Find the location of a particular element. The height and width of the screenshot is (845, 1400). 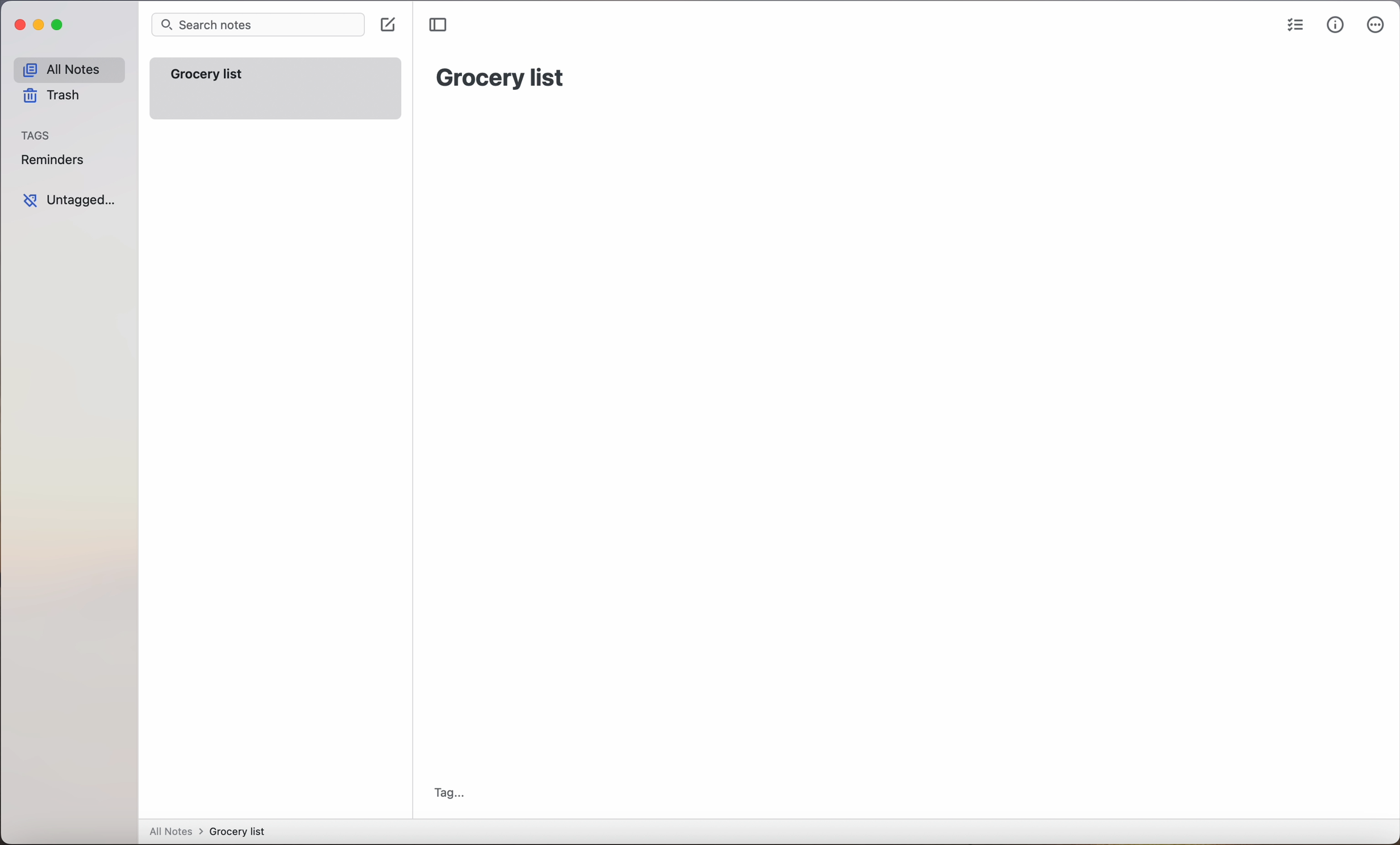

reminders is located at coordinates (52, 162).